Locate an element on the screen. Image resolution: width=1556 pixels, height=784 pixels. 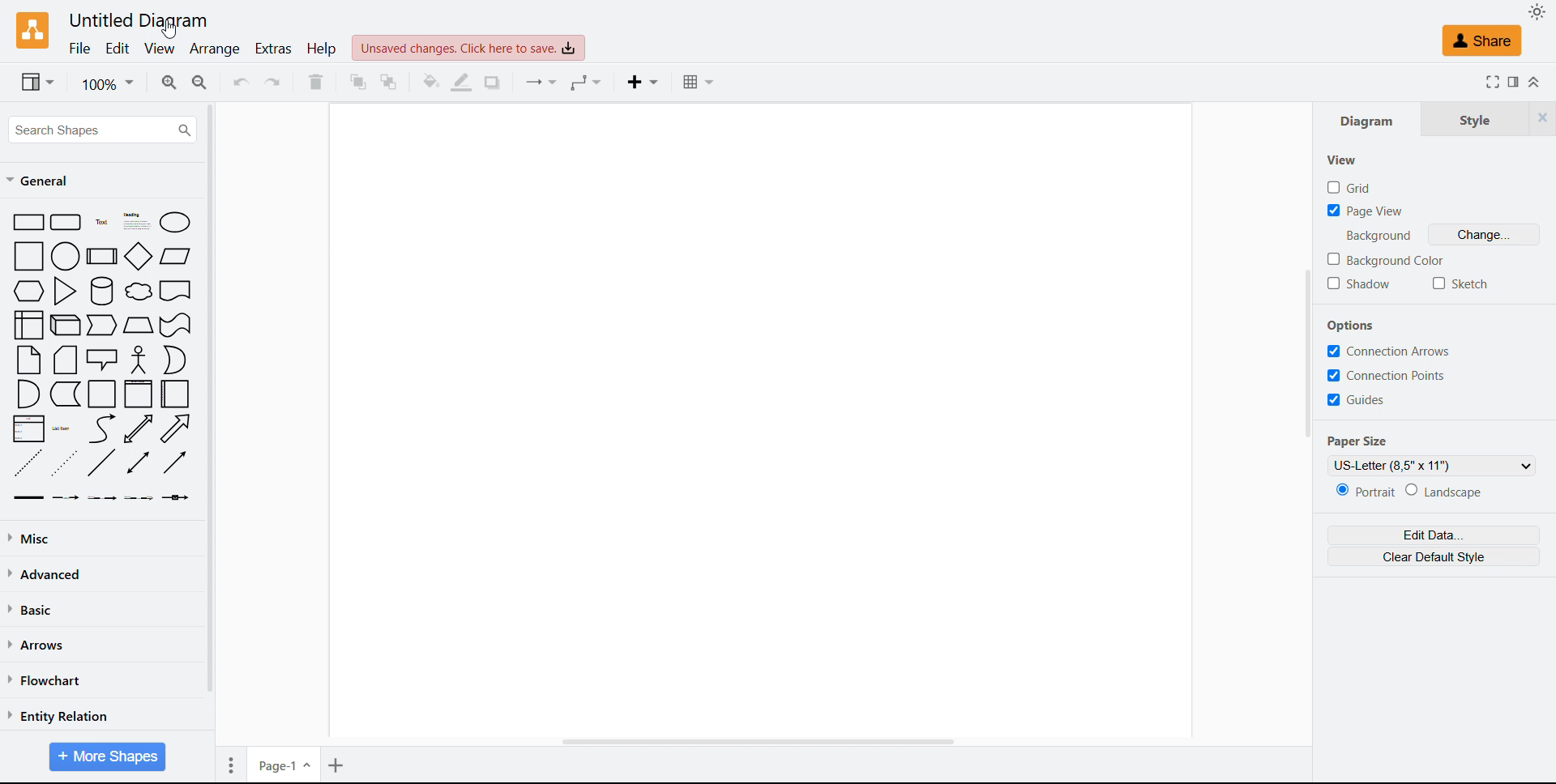
General  is located at coordinates (41, 181).